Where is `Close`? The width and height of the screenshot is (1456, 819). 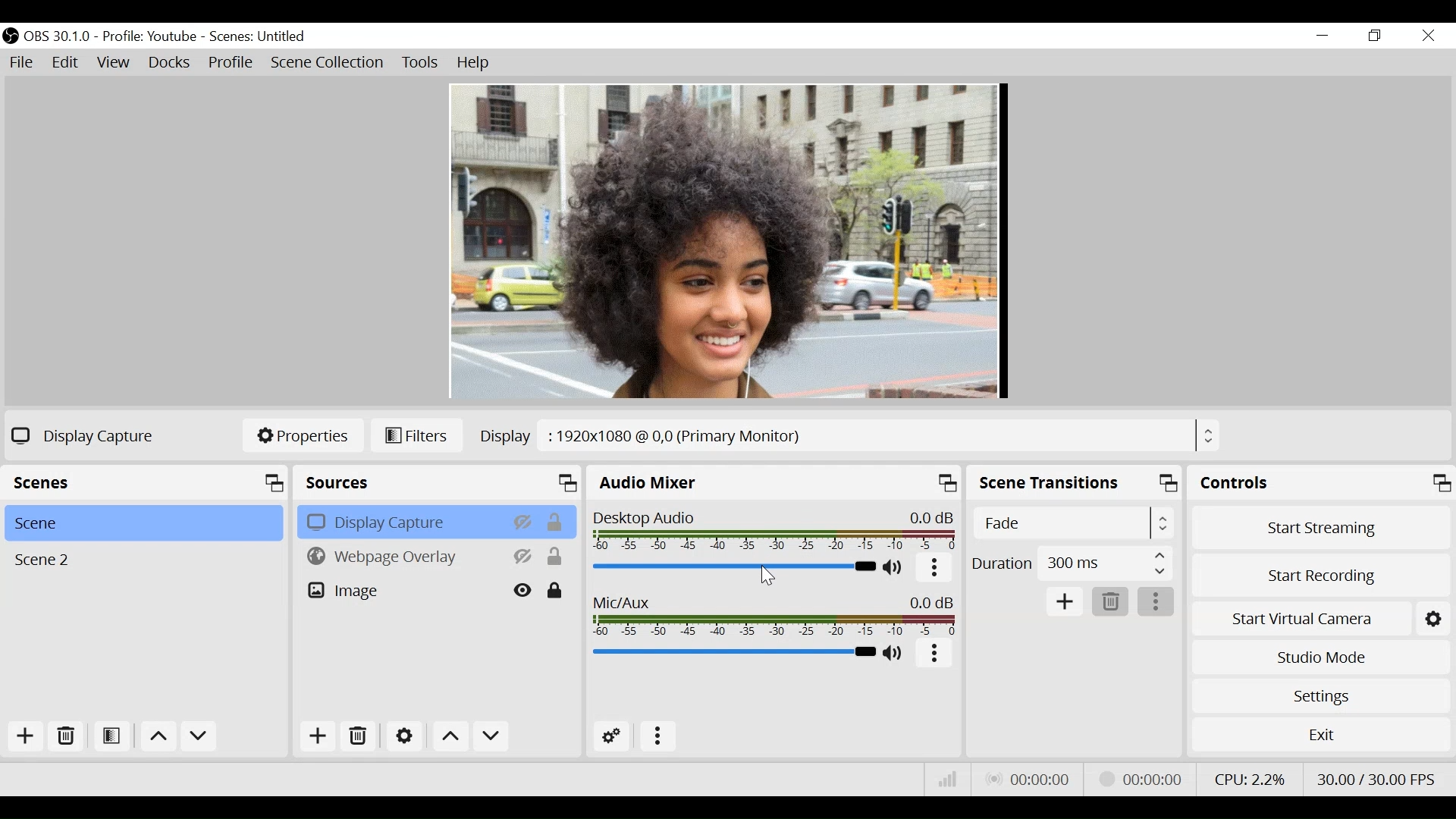 Close is located at coordinates (1428, 36).